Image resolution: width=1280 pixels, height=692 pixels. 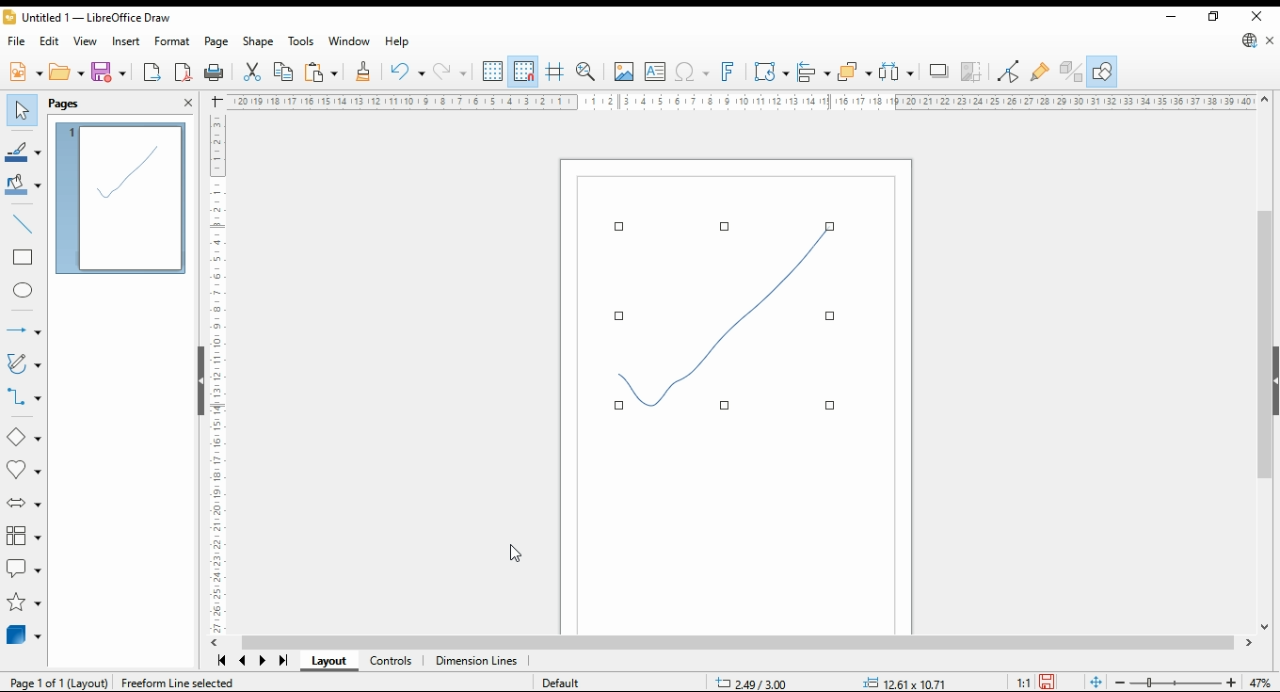 What do you see at coordinates (285, 71) in the screenshot?
I see `copy` at bounding box center [285, 71].